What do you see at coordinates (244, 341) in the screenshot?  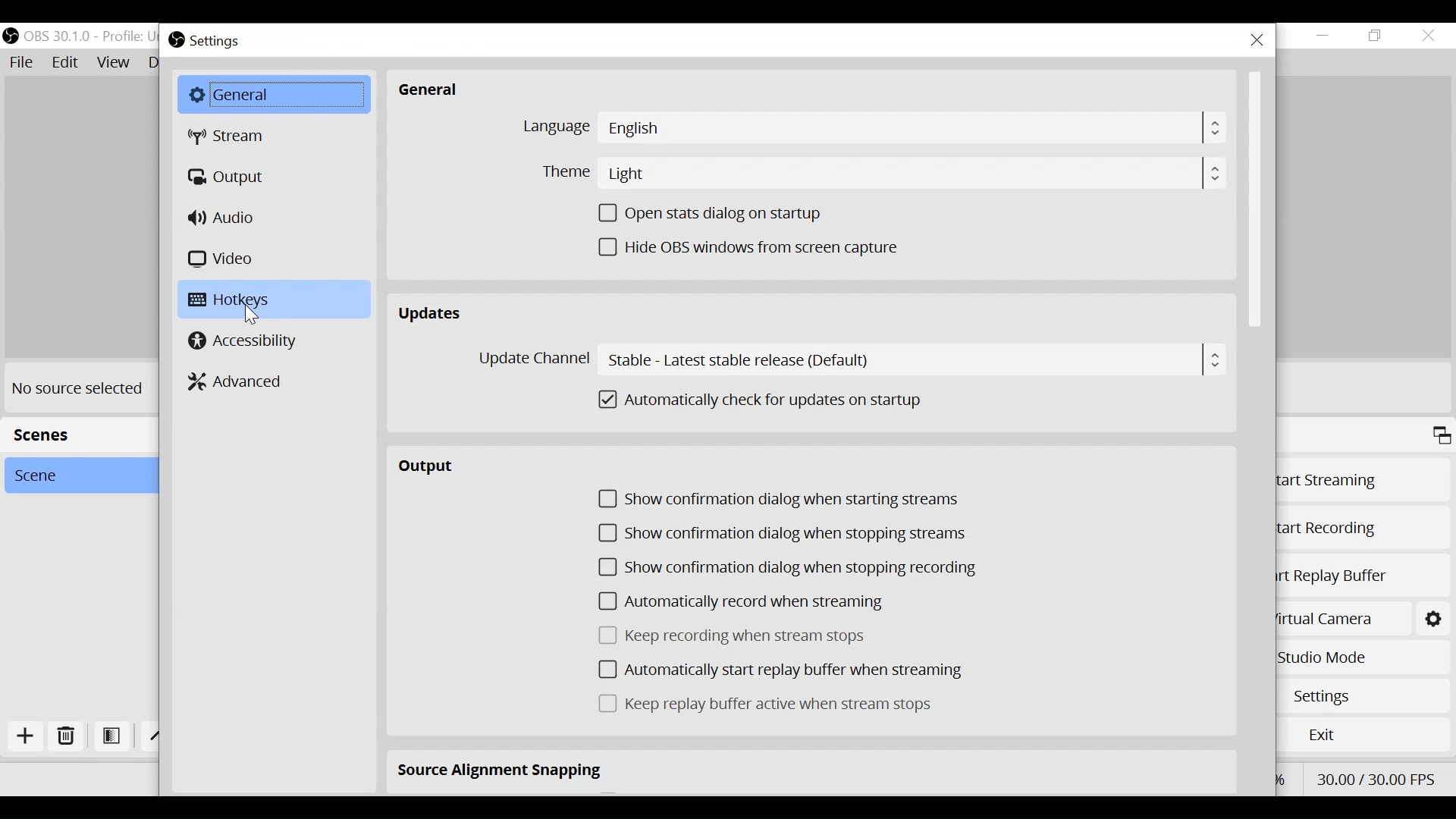 I see `Accessibility` at bounding box center [244, 341].